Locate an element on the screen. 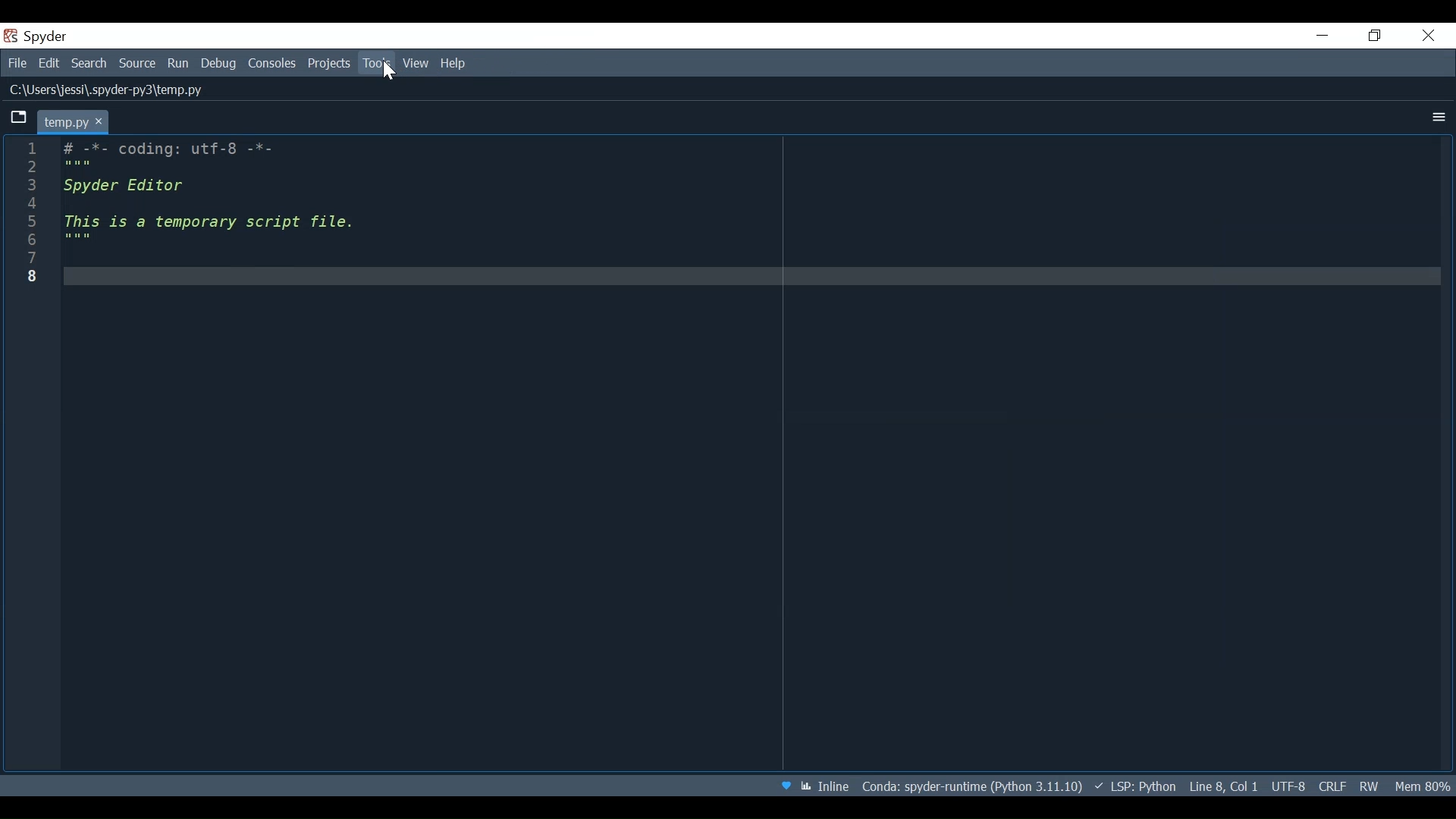  Browse tab is located at coordinates (17, 117).